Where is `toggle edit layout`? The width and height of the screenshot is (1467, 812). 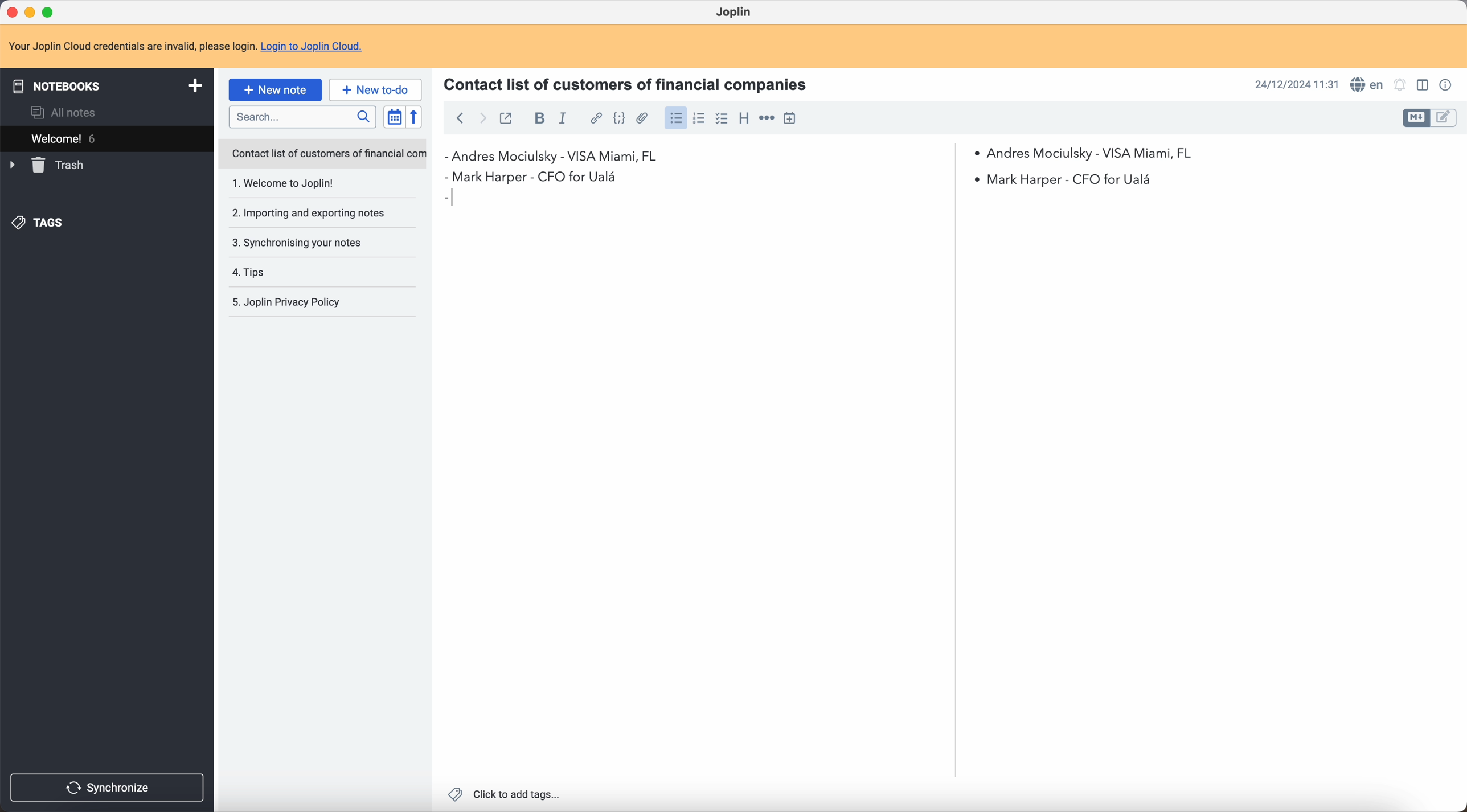 toggle edit layout is located at coordinates (1444, 118).